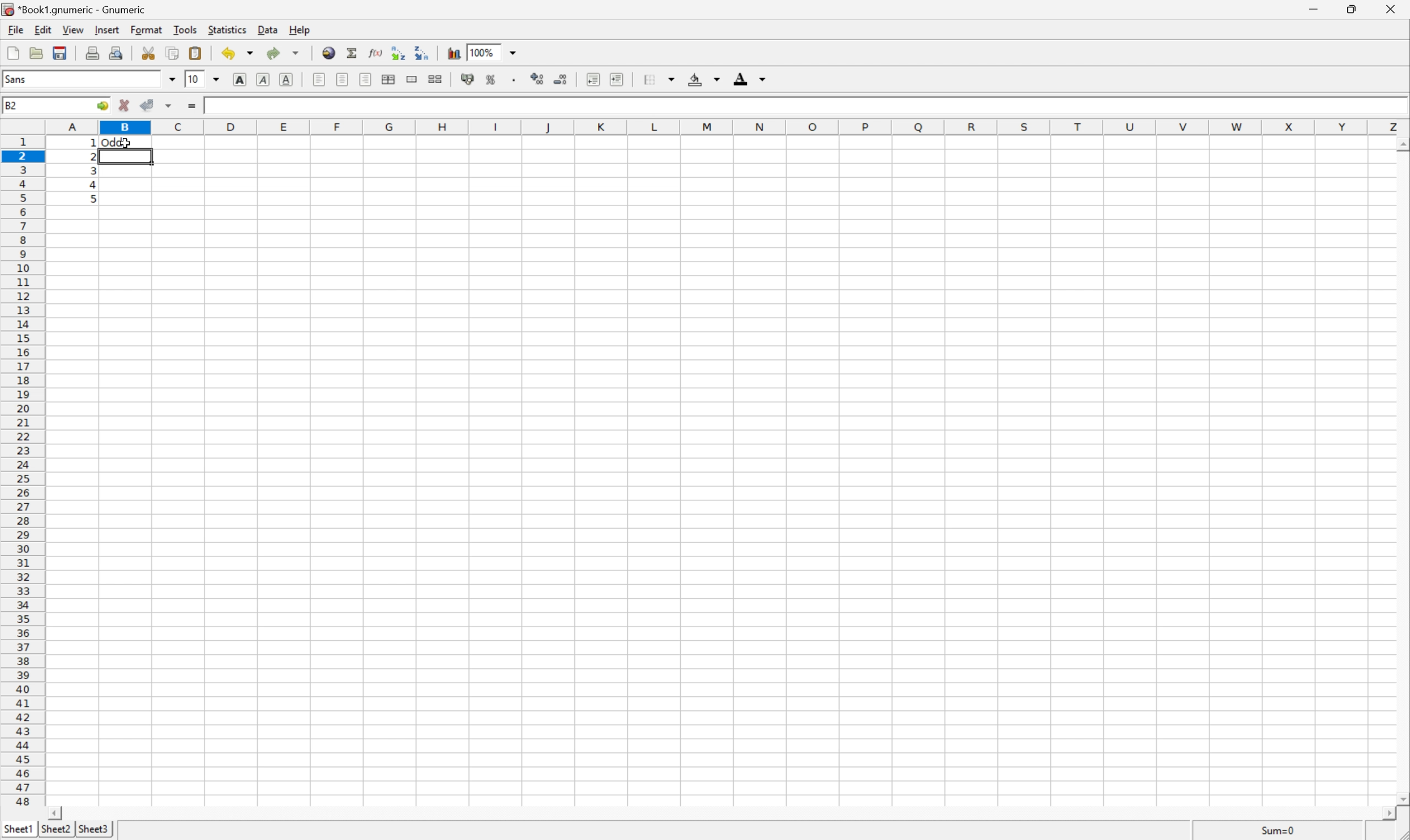 Image resolution: width=1410 pixels, height=840 pixels. What do you see at coordinates (127, 156) in the screenshot?
I see `Selected Cell` at bounding box center [127, 156].